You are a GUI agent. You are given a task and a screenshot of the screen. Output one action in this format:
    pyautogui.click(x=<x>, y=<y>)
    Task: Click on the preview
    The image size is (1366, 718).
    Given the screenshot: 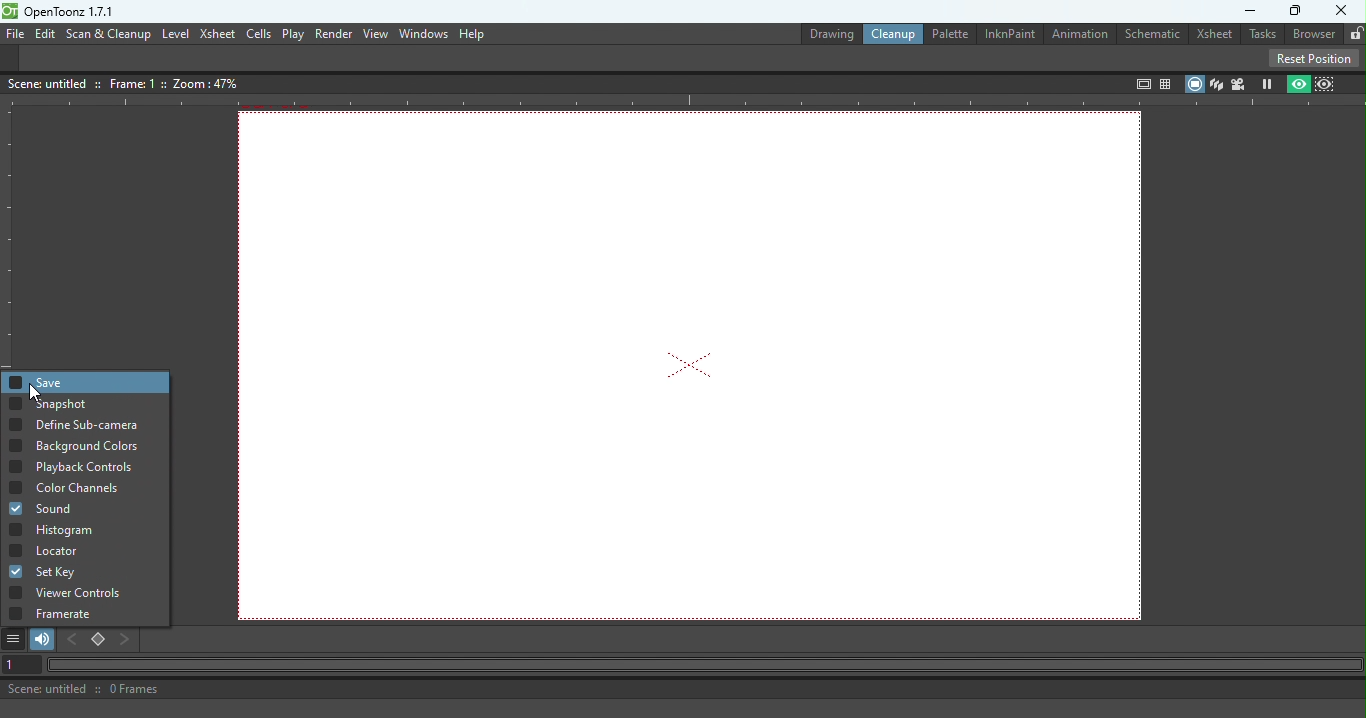 What is the action you would take?
    pyautogui.click(x=1301, y=82)
    